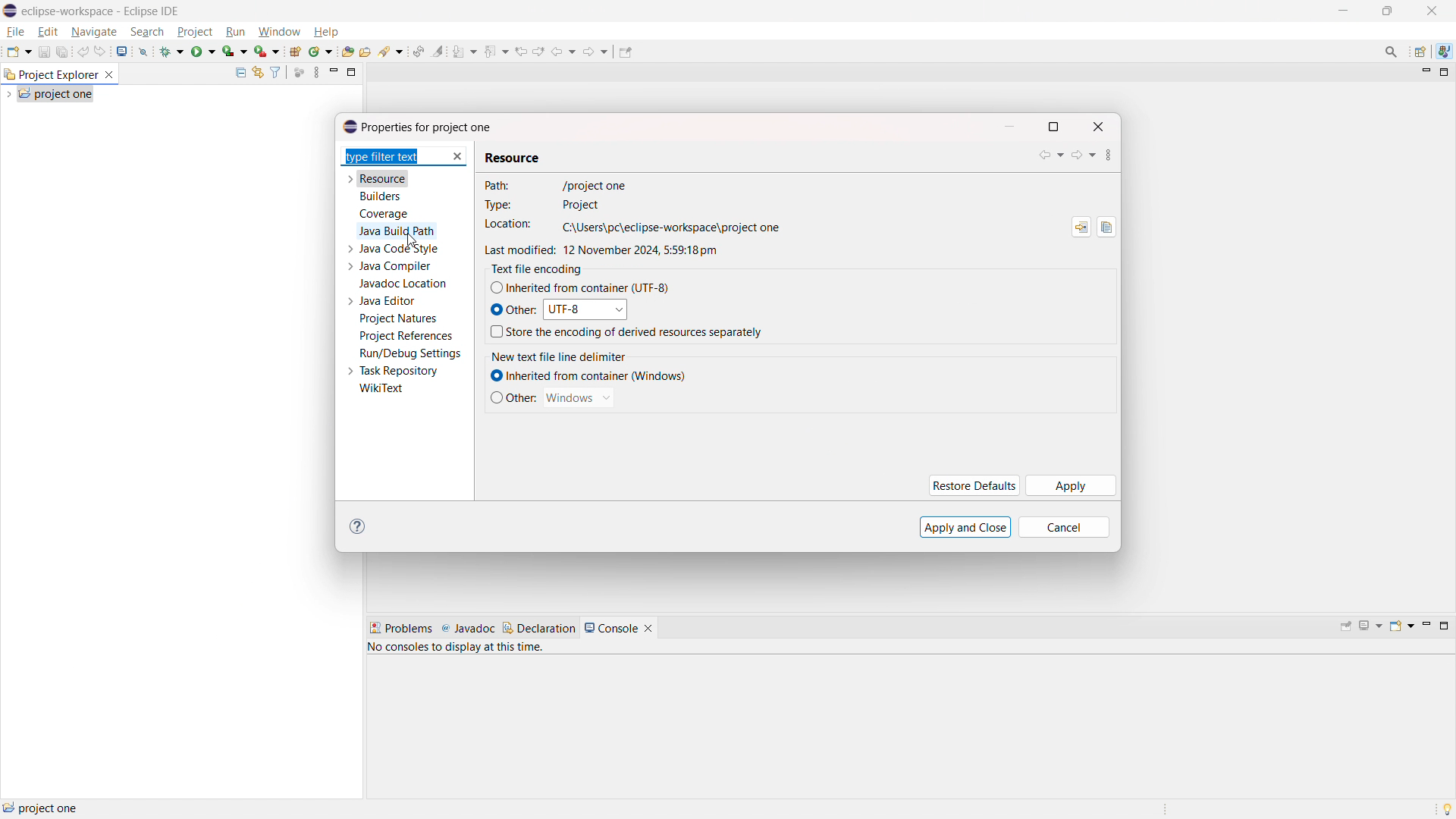  Describe the element at coordinates (101, 51) in the screenshot. I see `redo` at that location.